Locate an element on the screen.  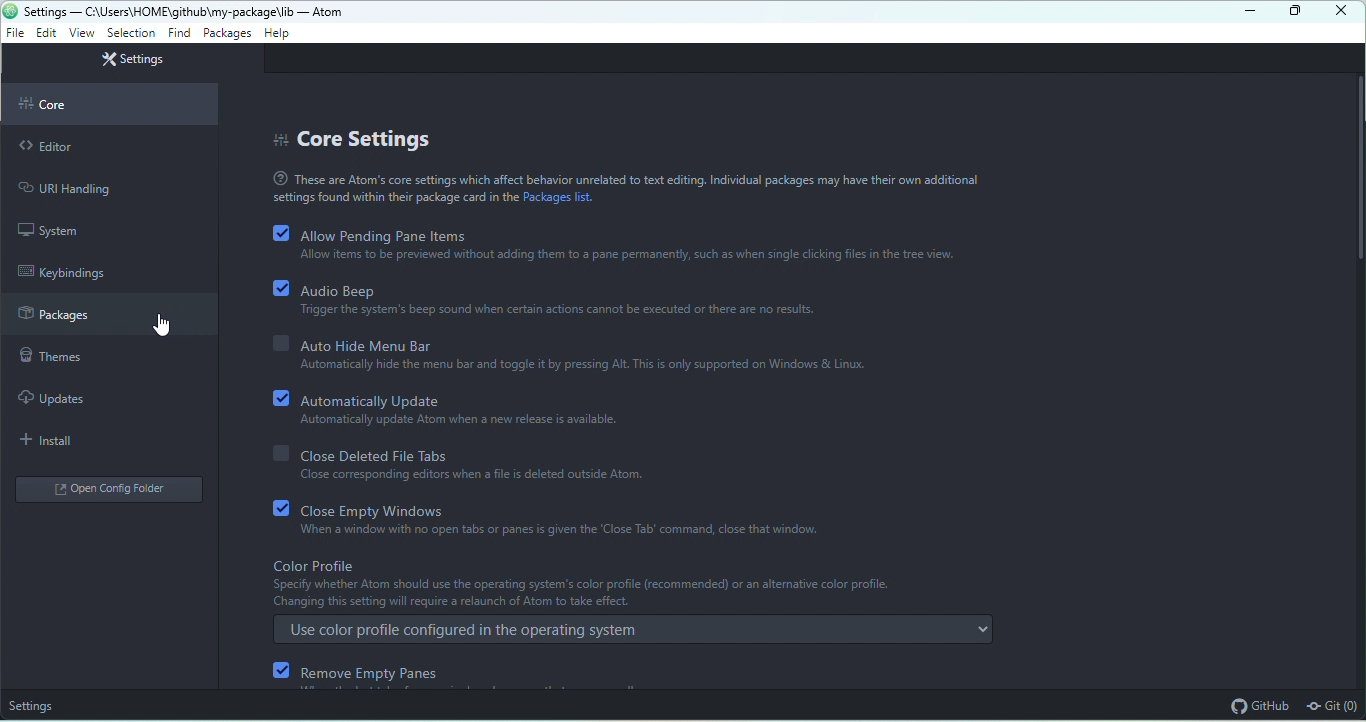
Specify whether Atom should use the operating system's color profile (recommended) or an altemative color profile.
Changing this setting will require a relaunch of Atom to take effect. is located at coordinates (576, 594).